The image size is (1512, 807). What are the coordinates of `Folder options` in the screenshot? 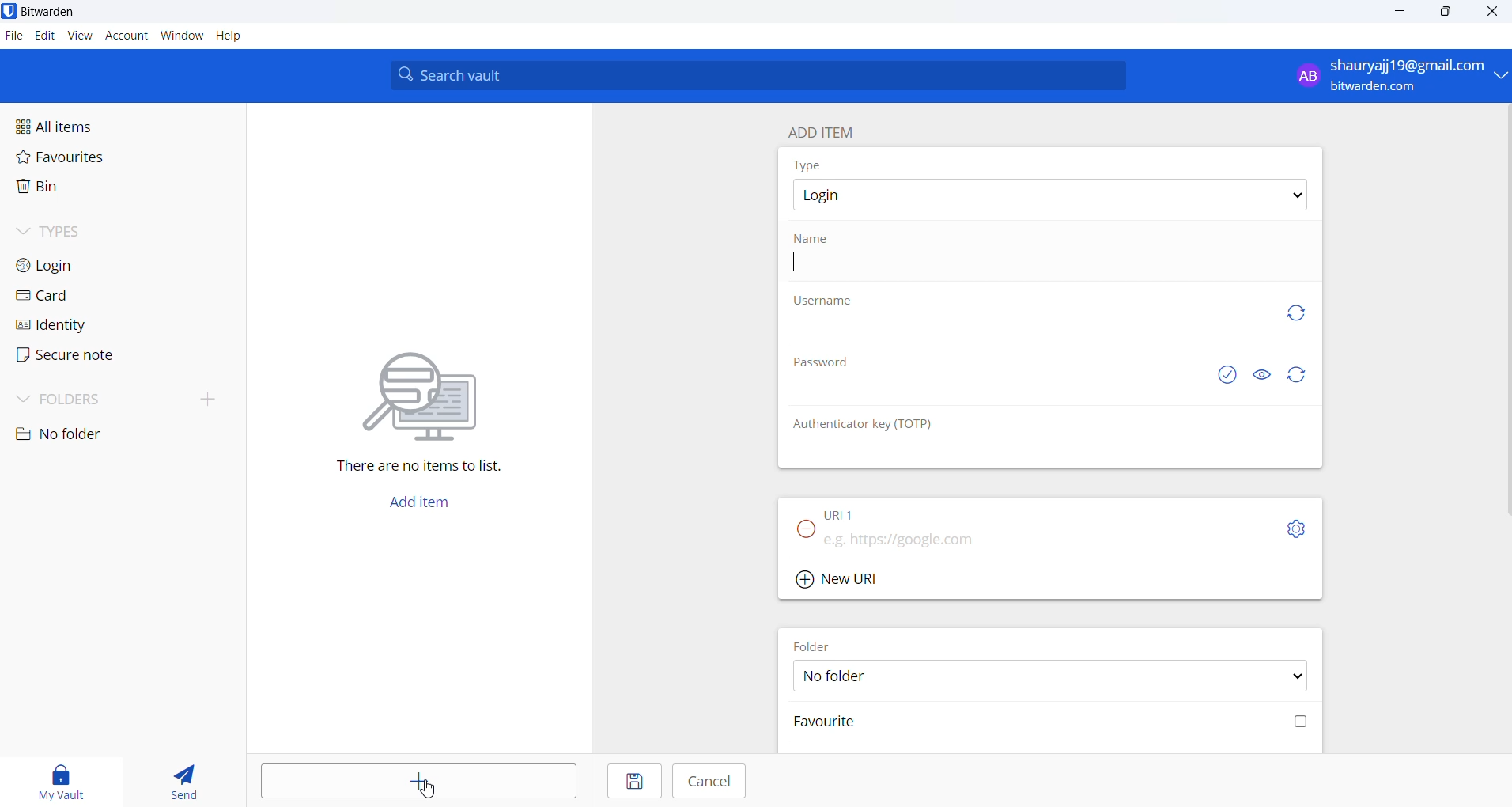 It's located at (1051, 675).